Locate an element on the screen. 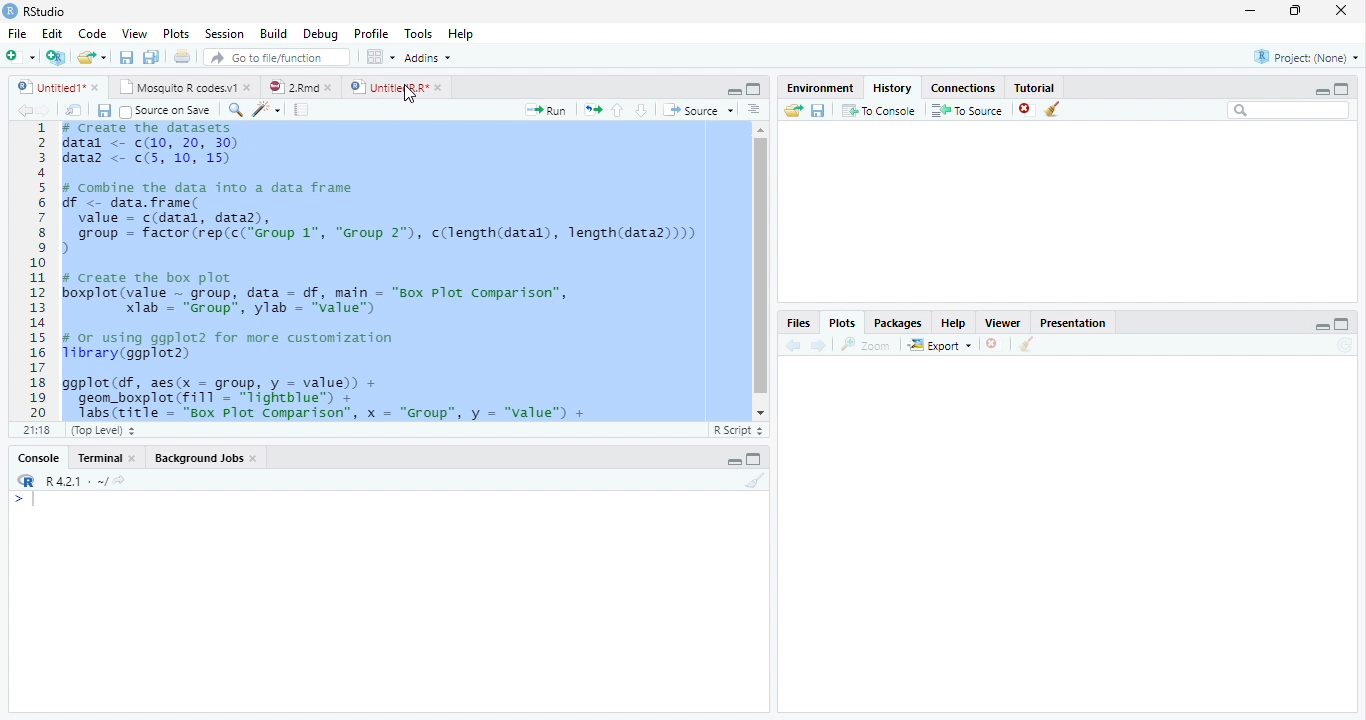 The height and width of the screenshot is (720, 1366). Files is located at coordinates (800, 322).